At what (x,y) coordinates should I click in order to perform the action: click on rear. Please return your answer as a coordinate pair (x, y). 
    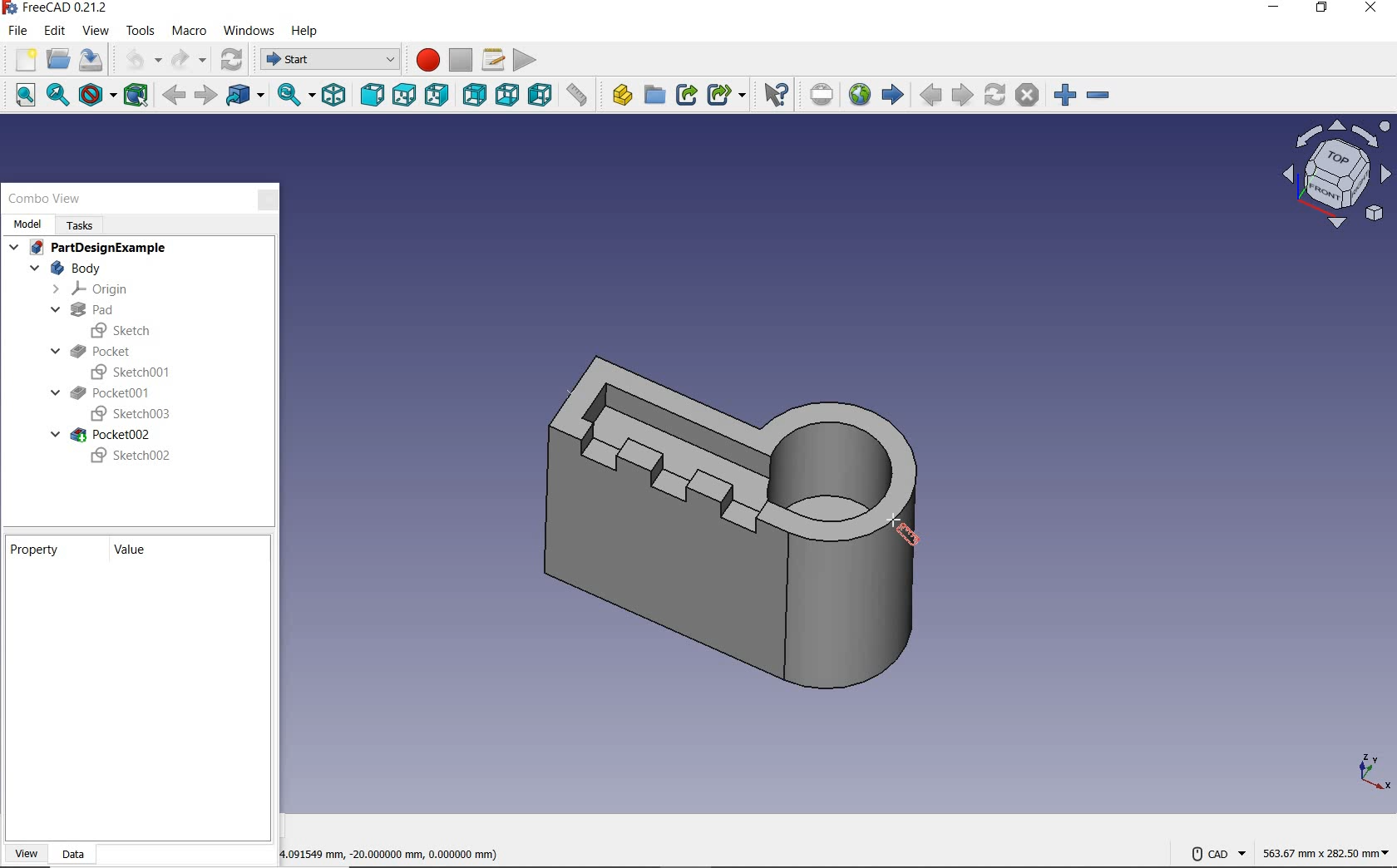
    Looking at the image, I should click on (472, 97).